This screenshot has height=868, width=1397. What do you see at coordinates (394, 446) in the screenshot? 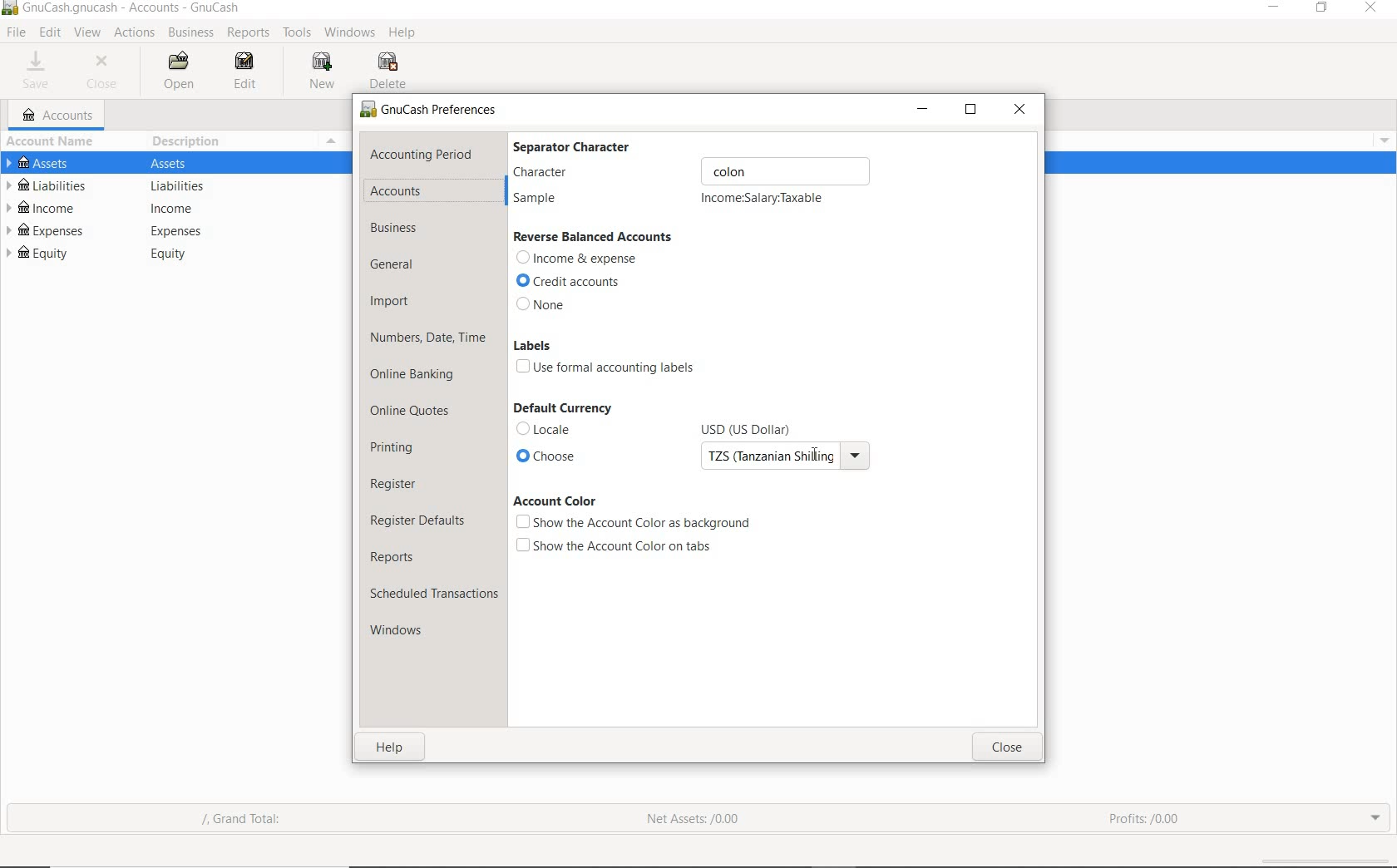
I see `printing` at bounding box center [394, 446].